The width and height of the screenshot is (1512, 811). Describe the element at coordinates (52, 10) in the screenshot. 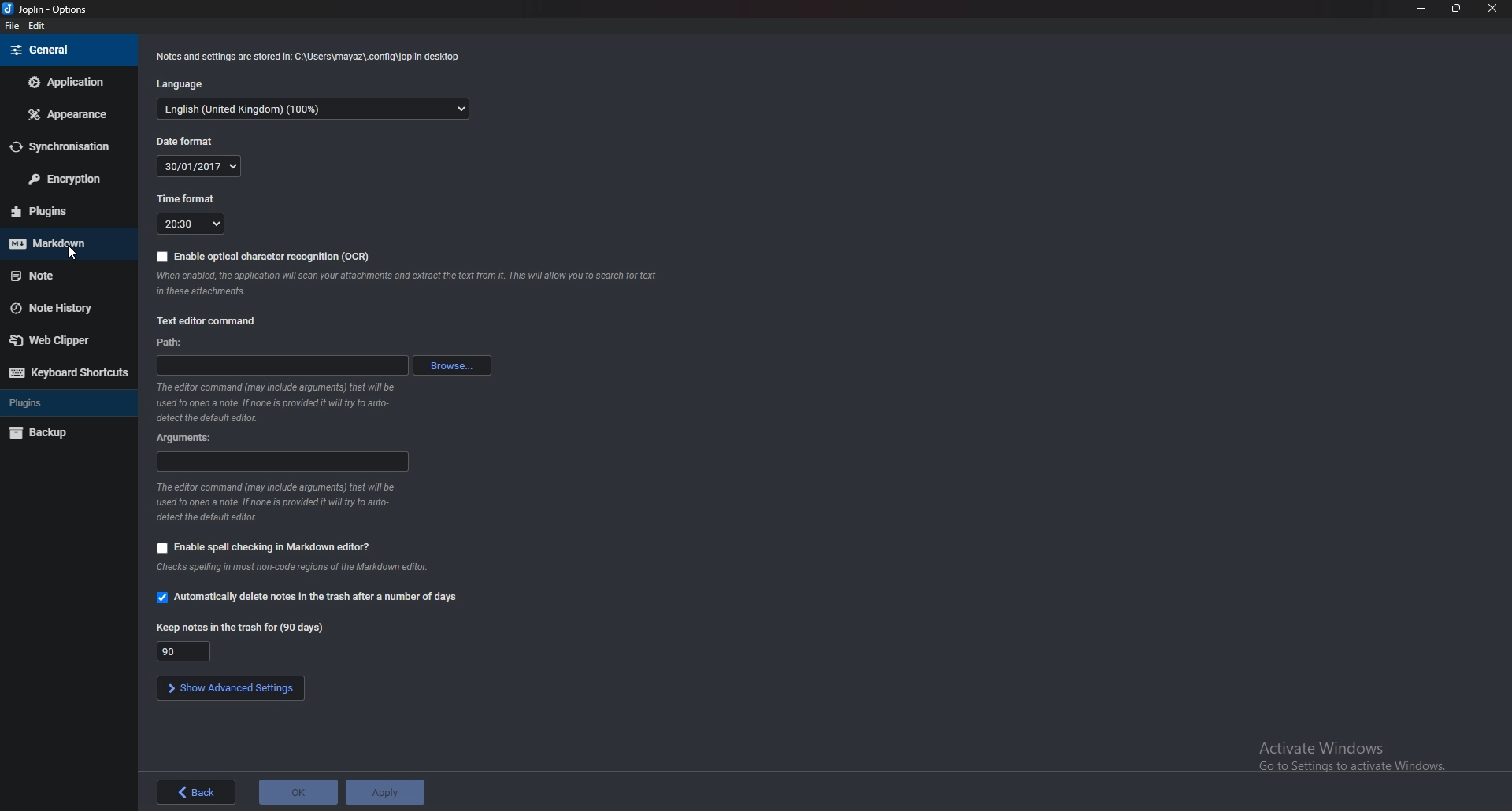

I see `options` at that location.